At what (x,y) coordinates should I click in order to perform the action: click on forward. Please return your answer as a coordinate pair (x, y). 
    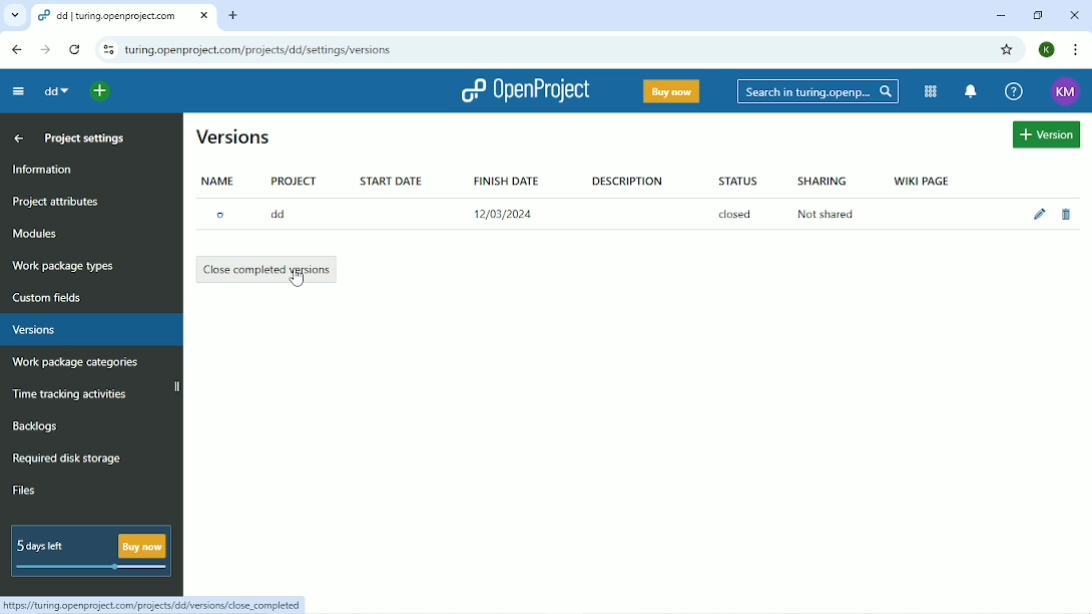
    Looking at the image, I should click on (42, 50).